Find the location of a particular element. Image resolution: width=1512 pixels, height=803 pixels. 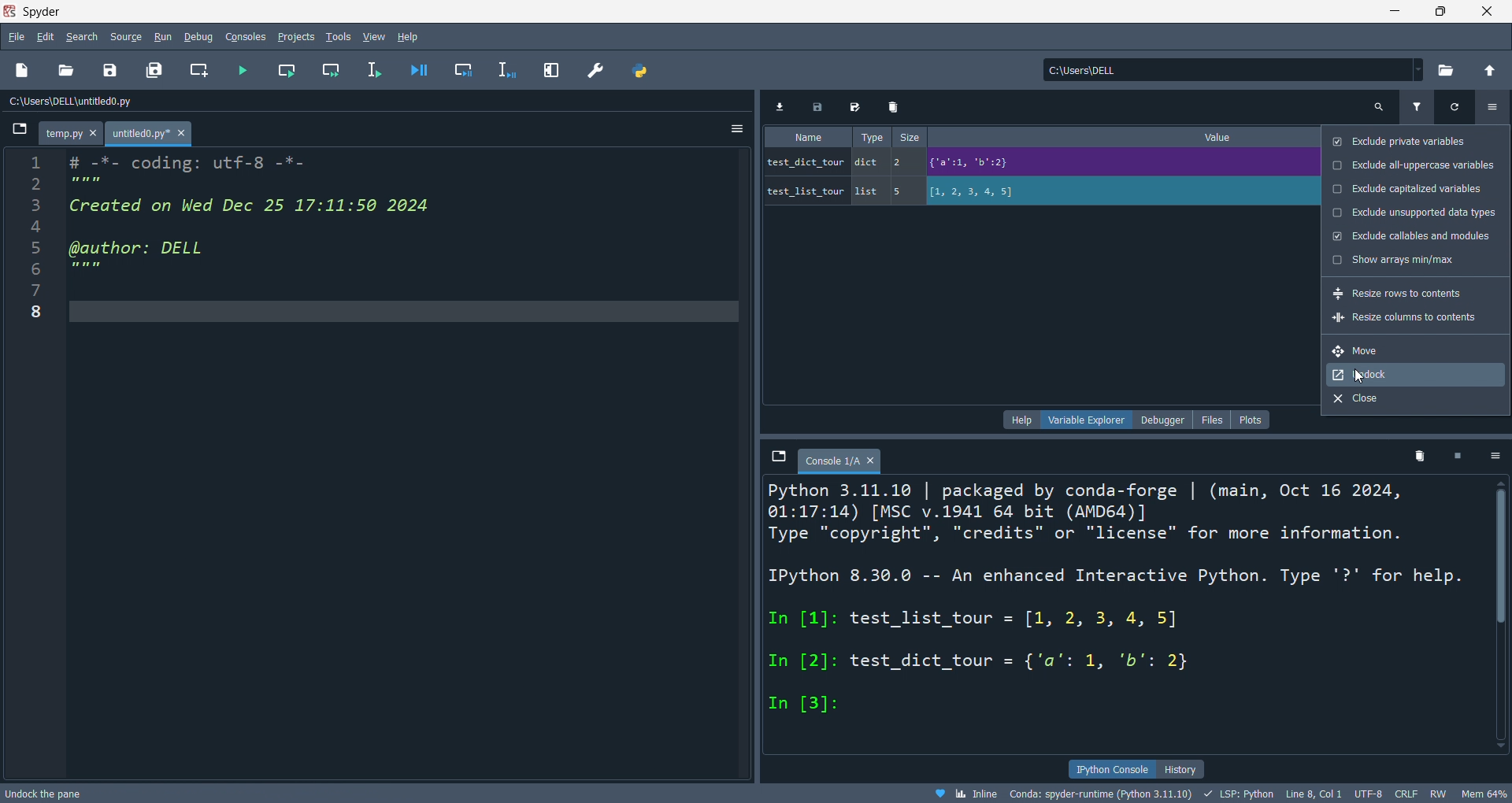

debug line is located at coordinates (507, 69).